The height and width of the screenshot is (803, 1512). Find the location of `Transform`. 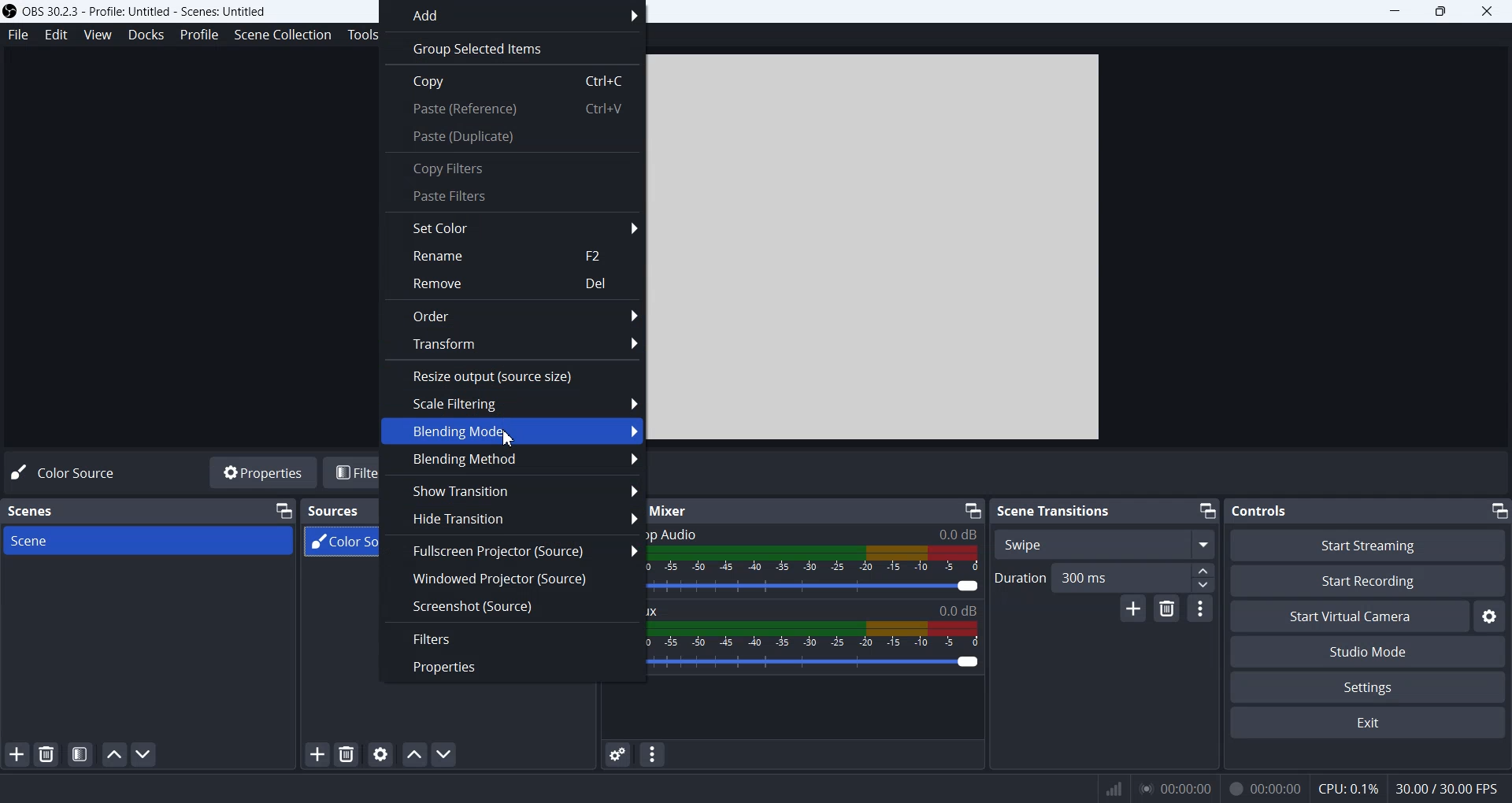

Transform is located at coordinates (512, 344).